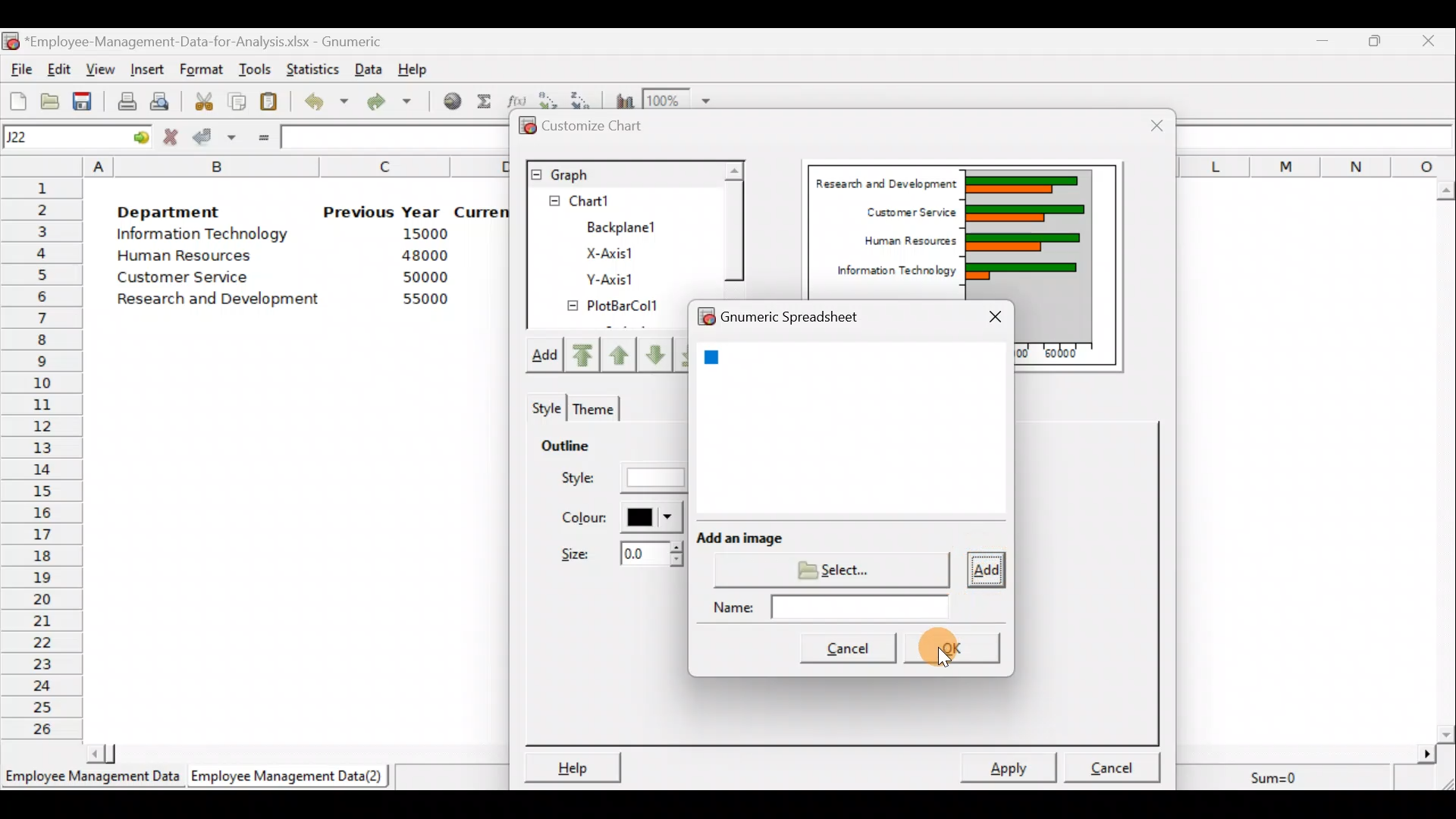  What do you see at coordinates (49, 99) in the screenshot?
I see `Open a file` at bounding box center [49, 99].